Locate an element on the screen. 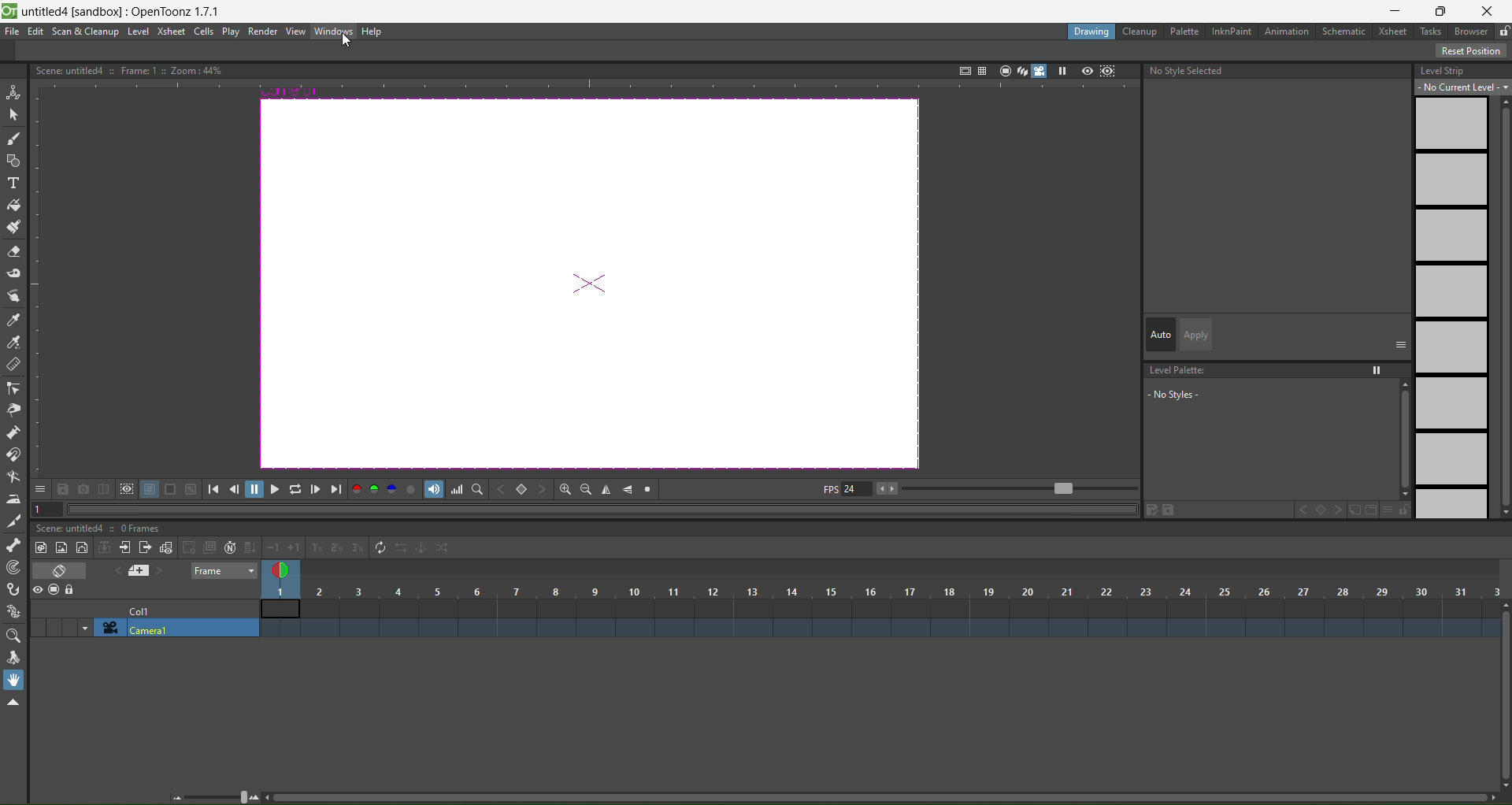 The height and width of the screenshot is (805, 1512). style picker tool is located at coordinates (13, 321).